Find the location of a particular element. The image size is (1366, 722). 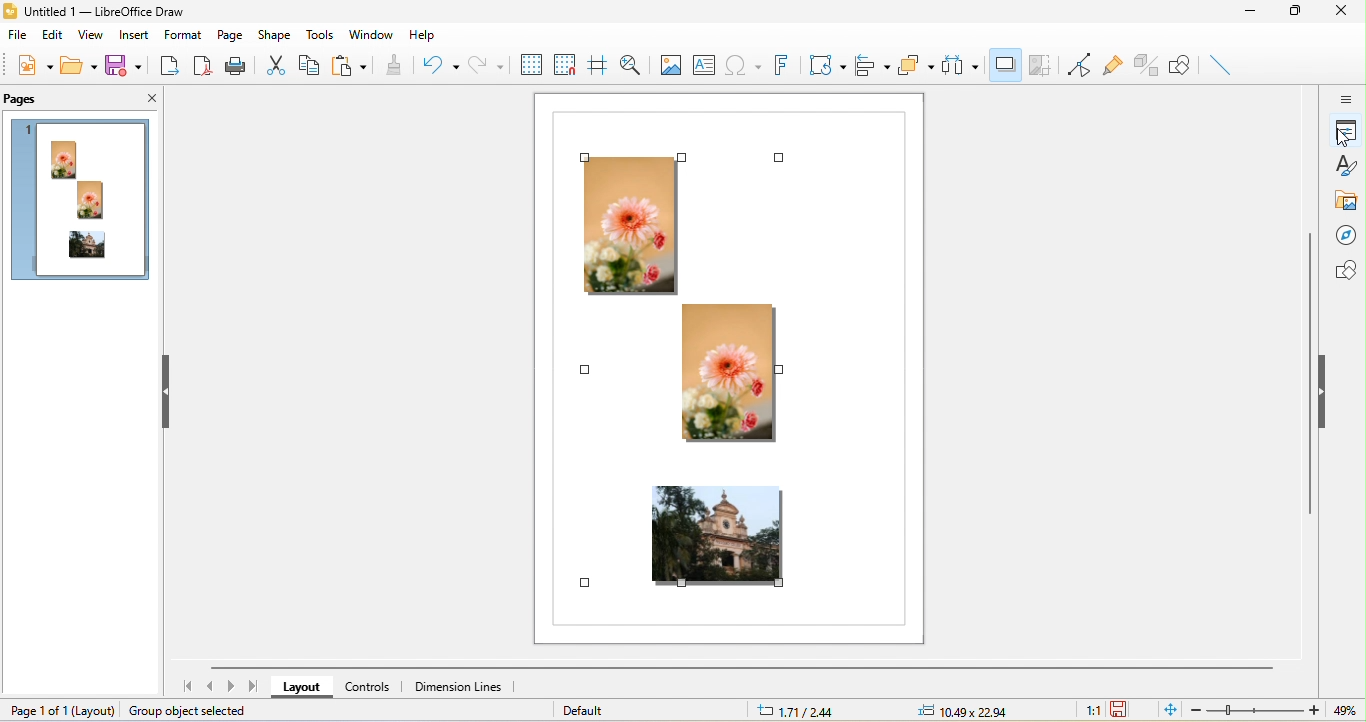

styles is located at coordinates (1347, 167).